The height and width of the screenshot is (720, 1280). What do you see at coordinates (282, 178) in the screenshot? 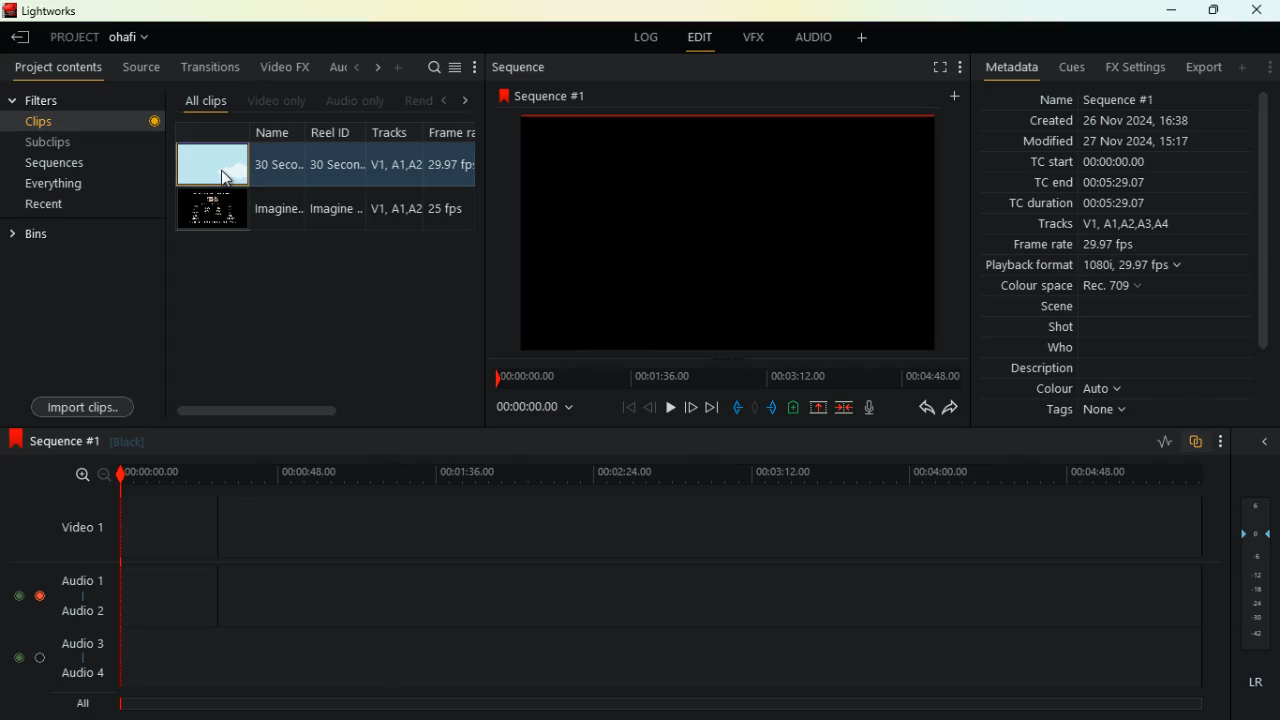
I see `name` at bounding box center [282, 178].